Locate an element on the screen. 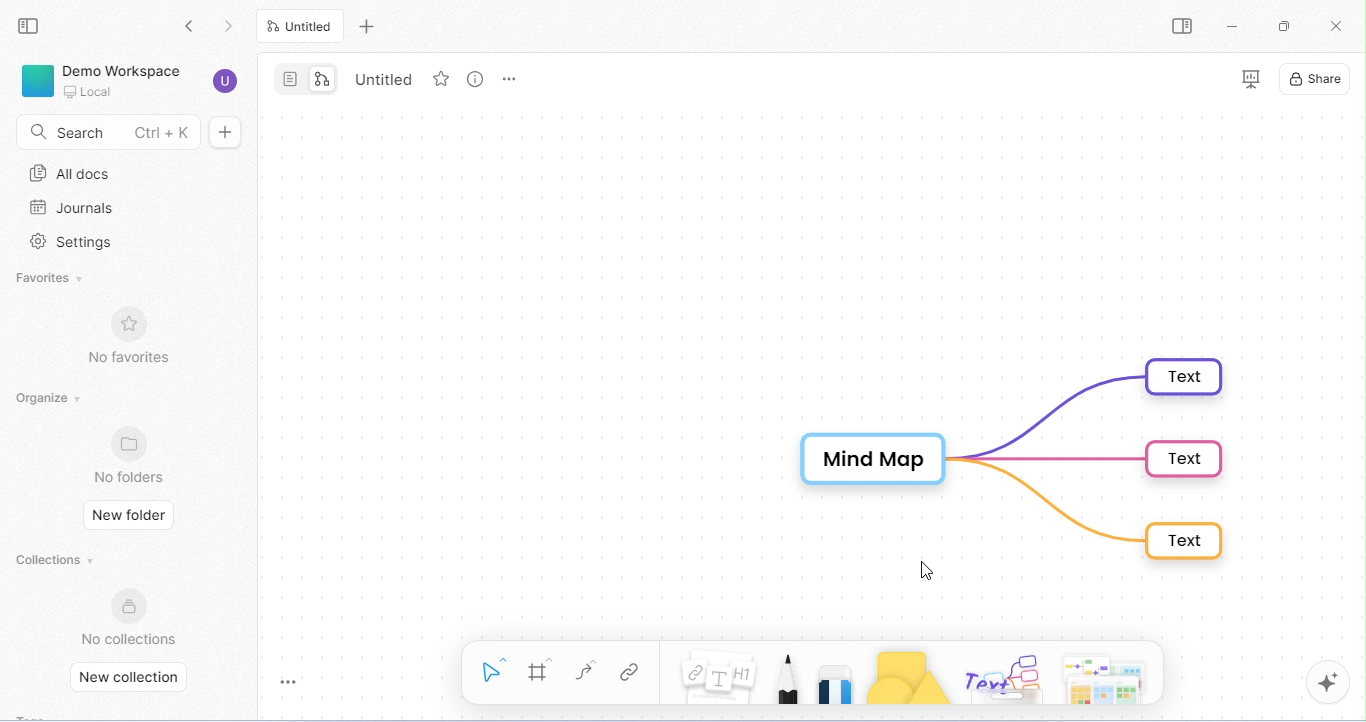  demo workspace is located at coordinates (128, 81).